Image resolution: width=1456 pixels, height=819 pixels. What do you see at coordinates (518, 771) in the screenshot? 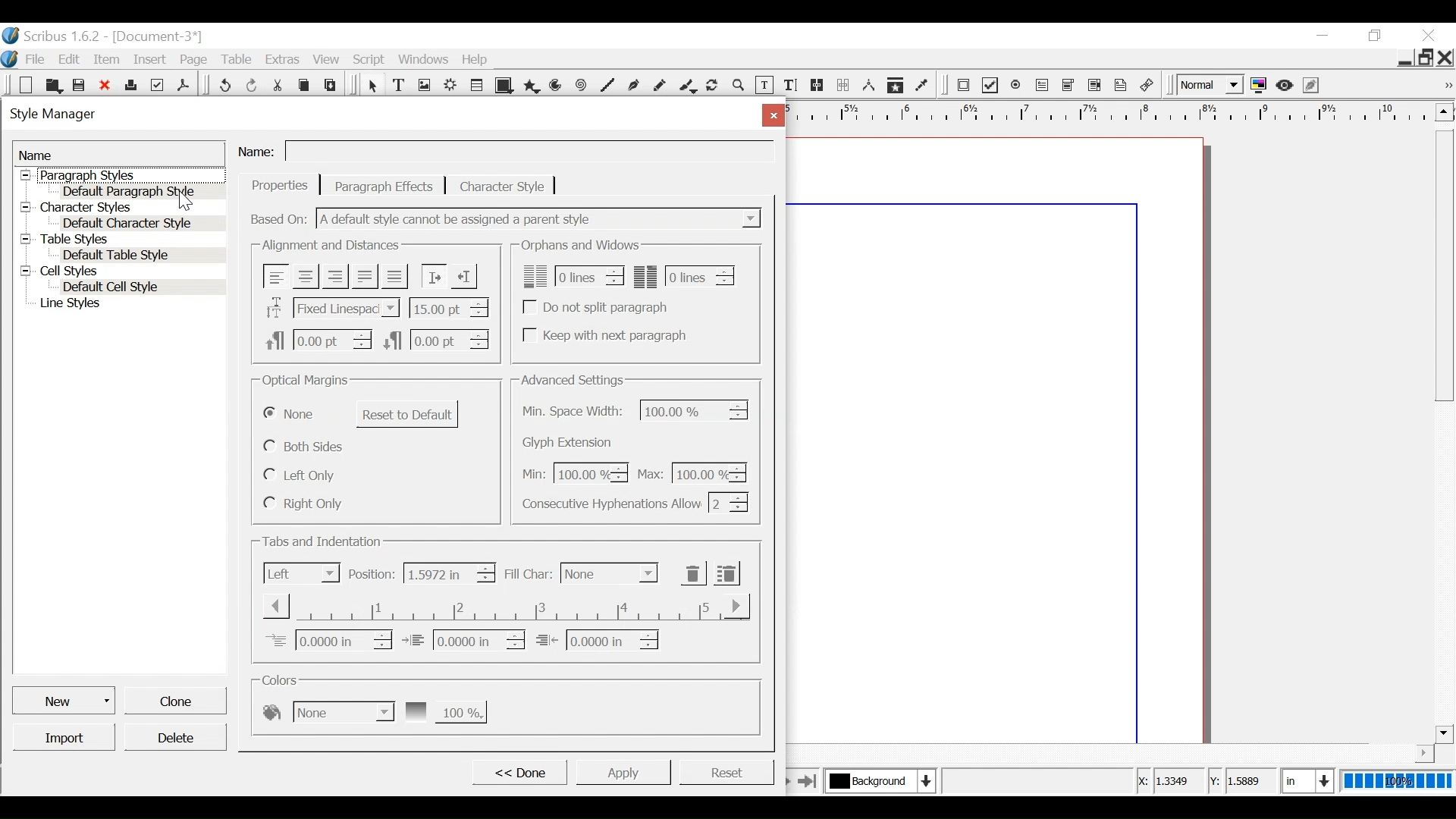
I see `Done` at bounding box center [518, 771].